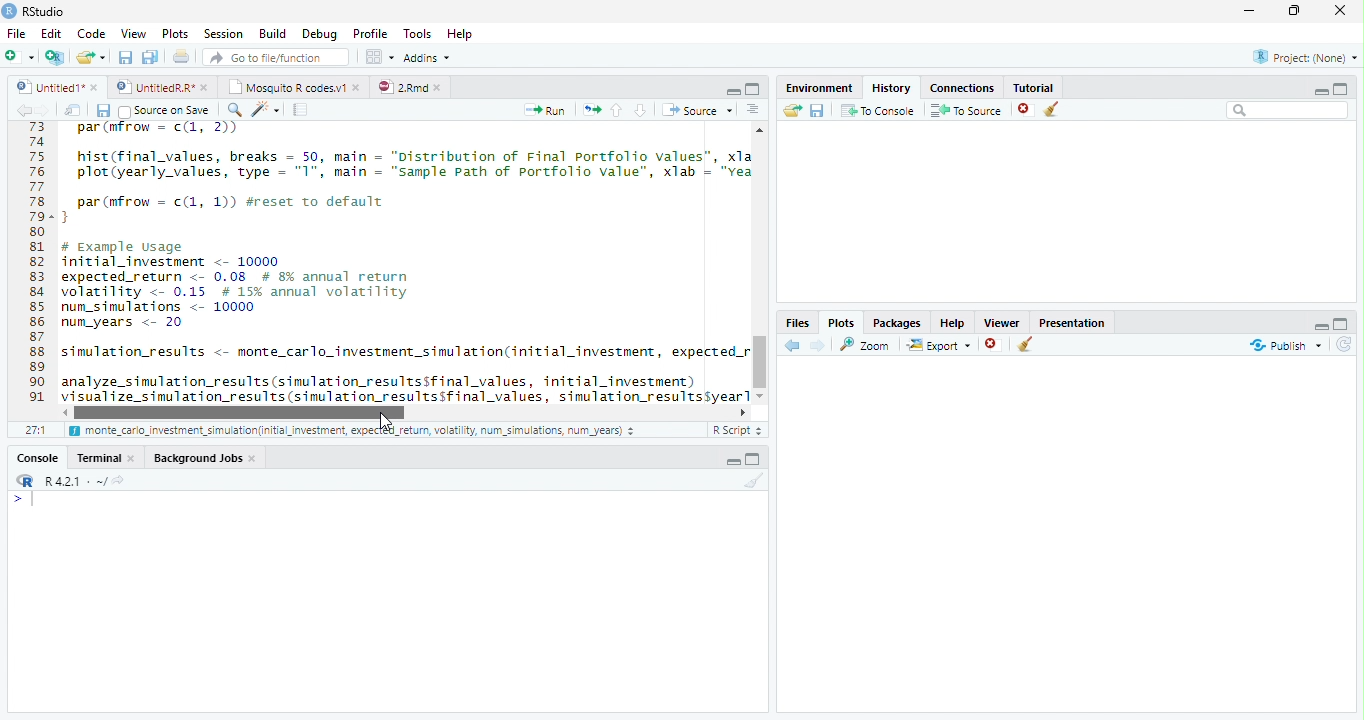  I want to click on Zoom, so click(866, 344).